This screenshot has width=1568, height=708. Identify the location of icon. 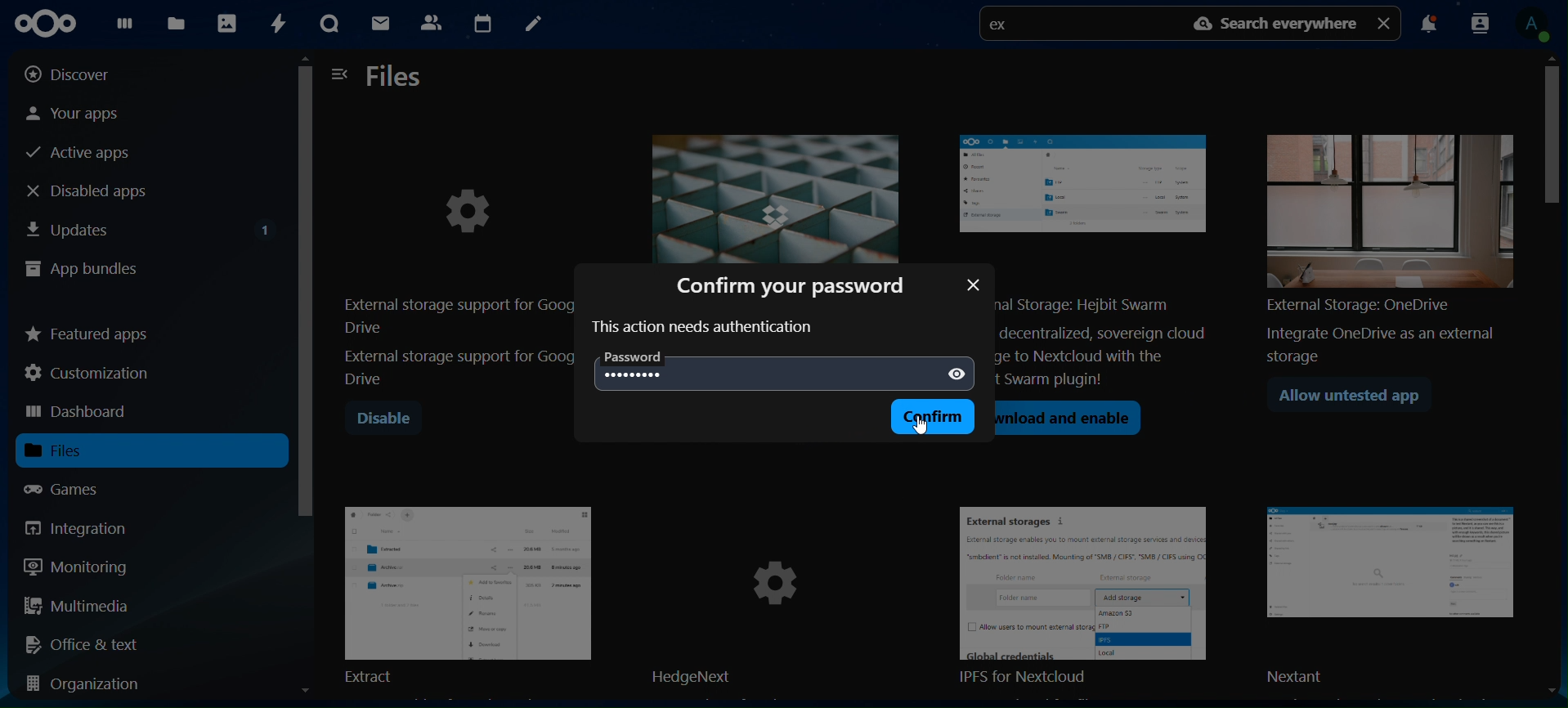
(52, 24).